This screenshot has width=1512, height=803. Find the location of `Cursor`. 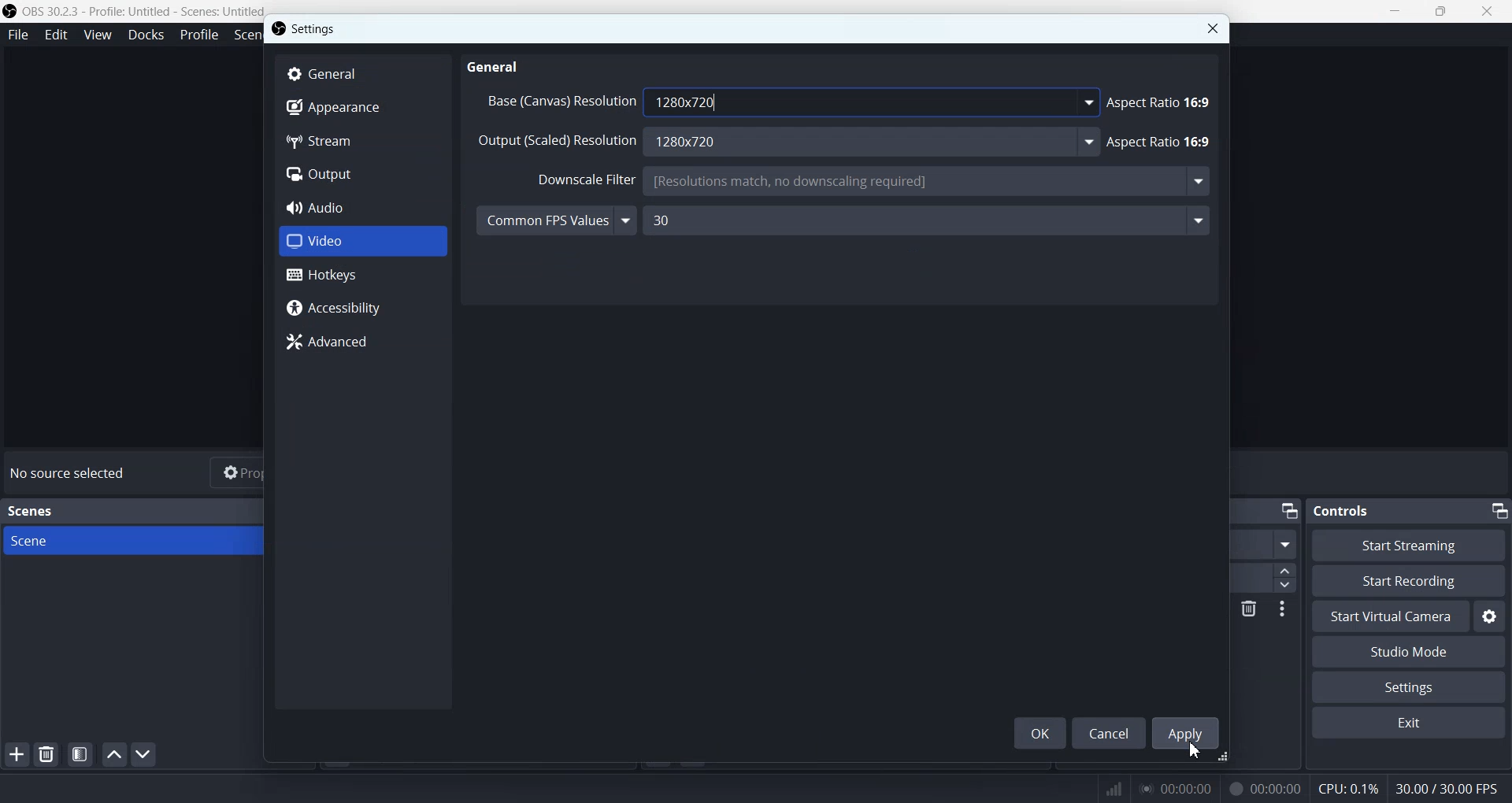

Cursor is located at coordinates (1195, 749).